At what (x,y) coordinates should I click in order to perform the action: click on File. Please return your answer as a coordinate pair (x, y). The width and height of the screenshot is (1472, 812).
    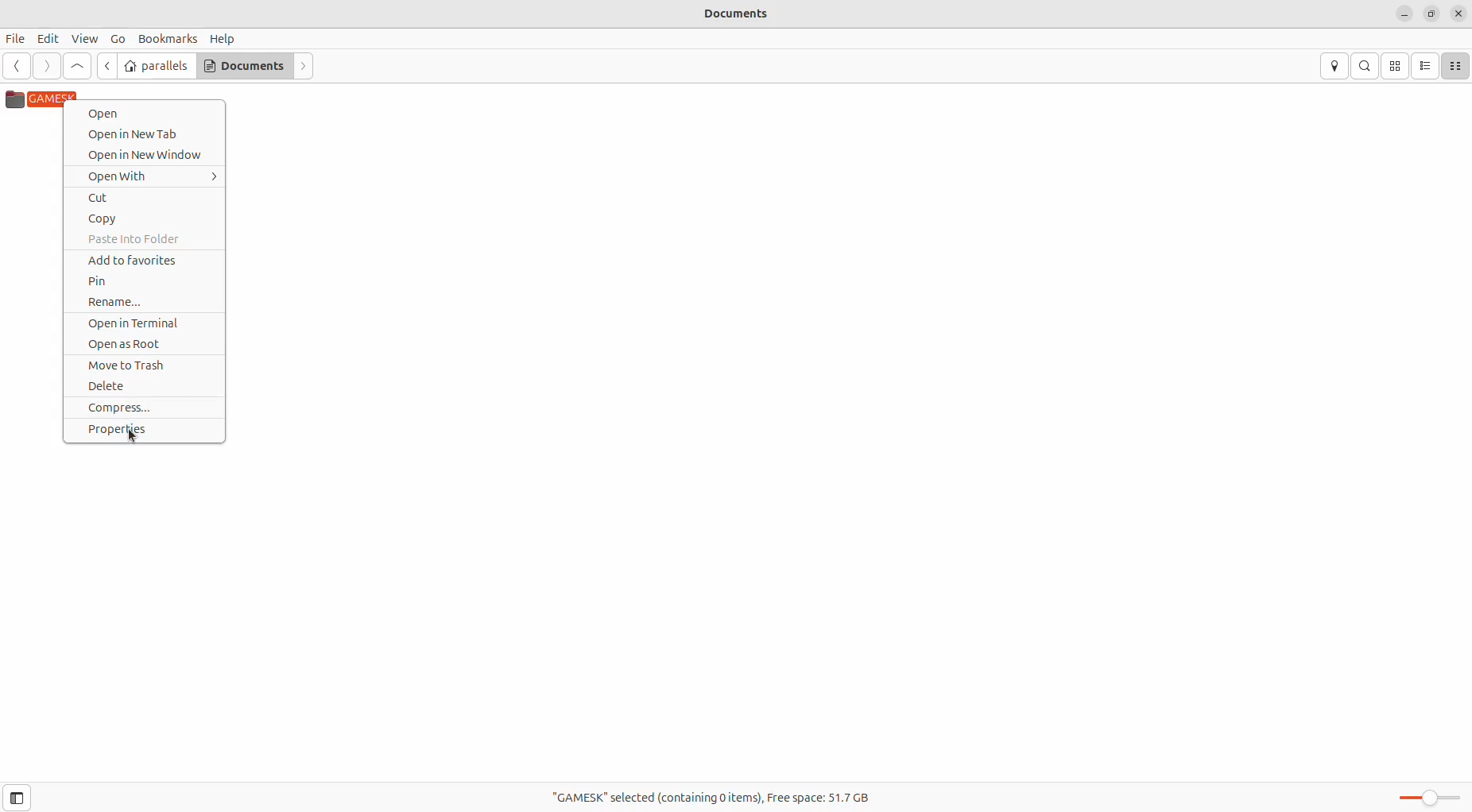
    Looking at the image, I should click on (17, 40).